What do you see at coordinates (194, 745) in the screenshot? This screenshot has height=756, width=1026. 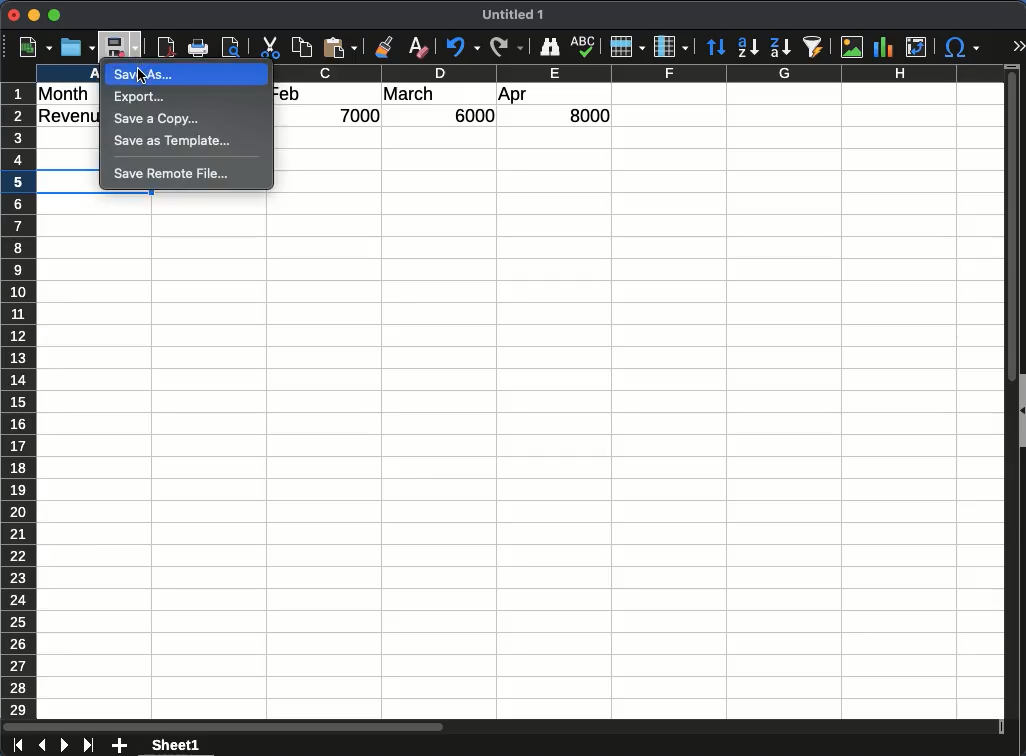 I see `sheet 1` at bounding box center [194, 745].